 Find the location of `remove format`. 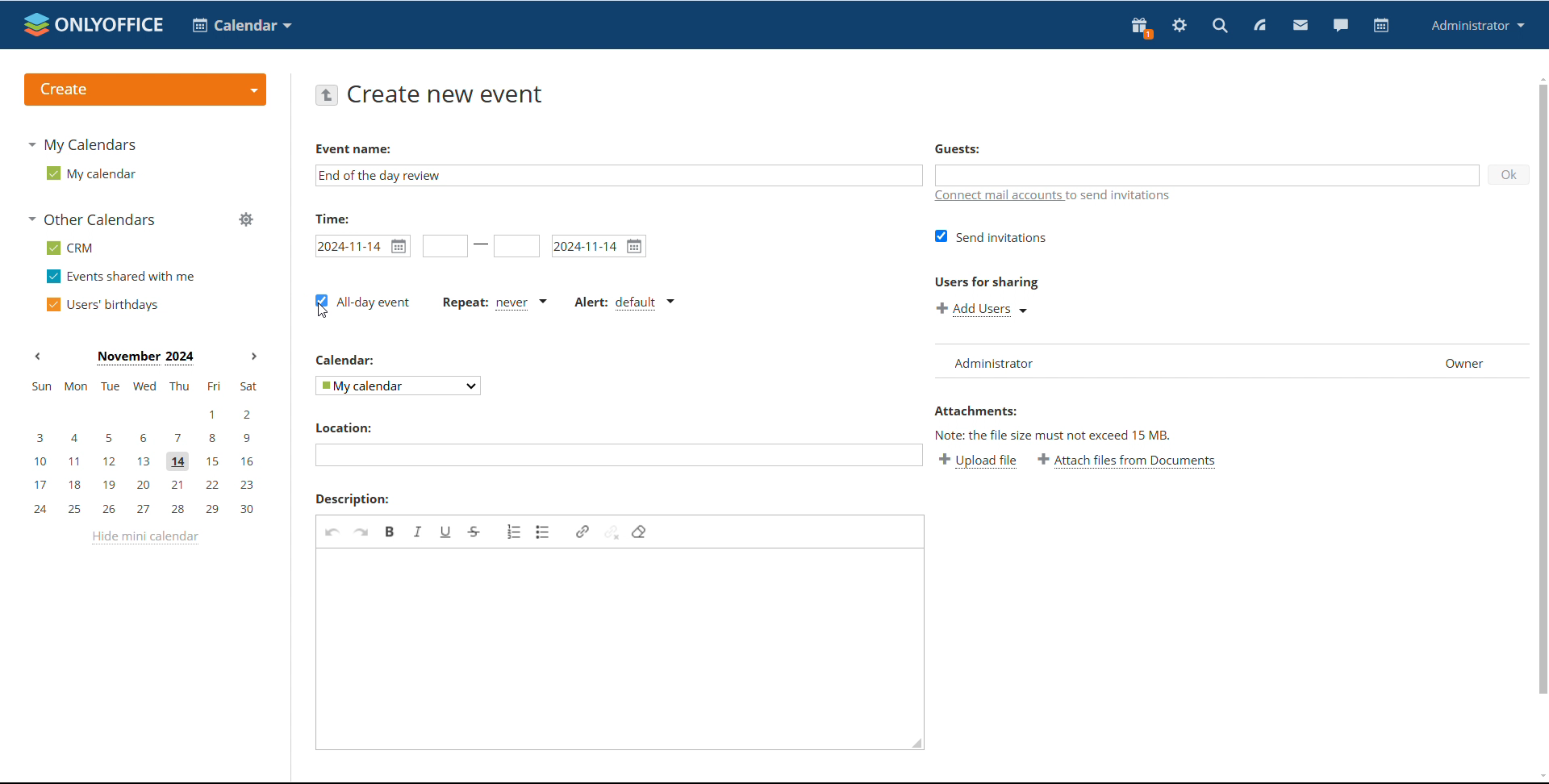

remove format is located at coordinates (639, 532).